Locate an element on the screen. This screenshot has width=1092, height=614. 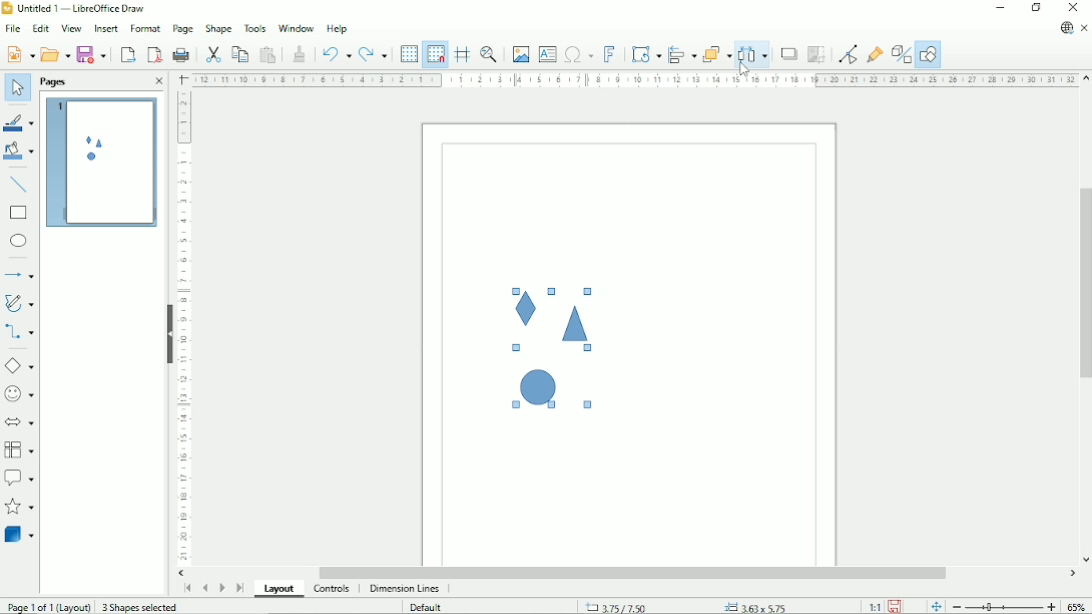
Symbol shapes is located at coordinates (20, 393).